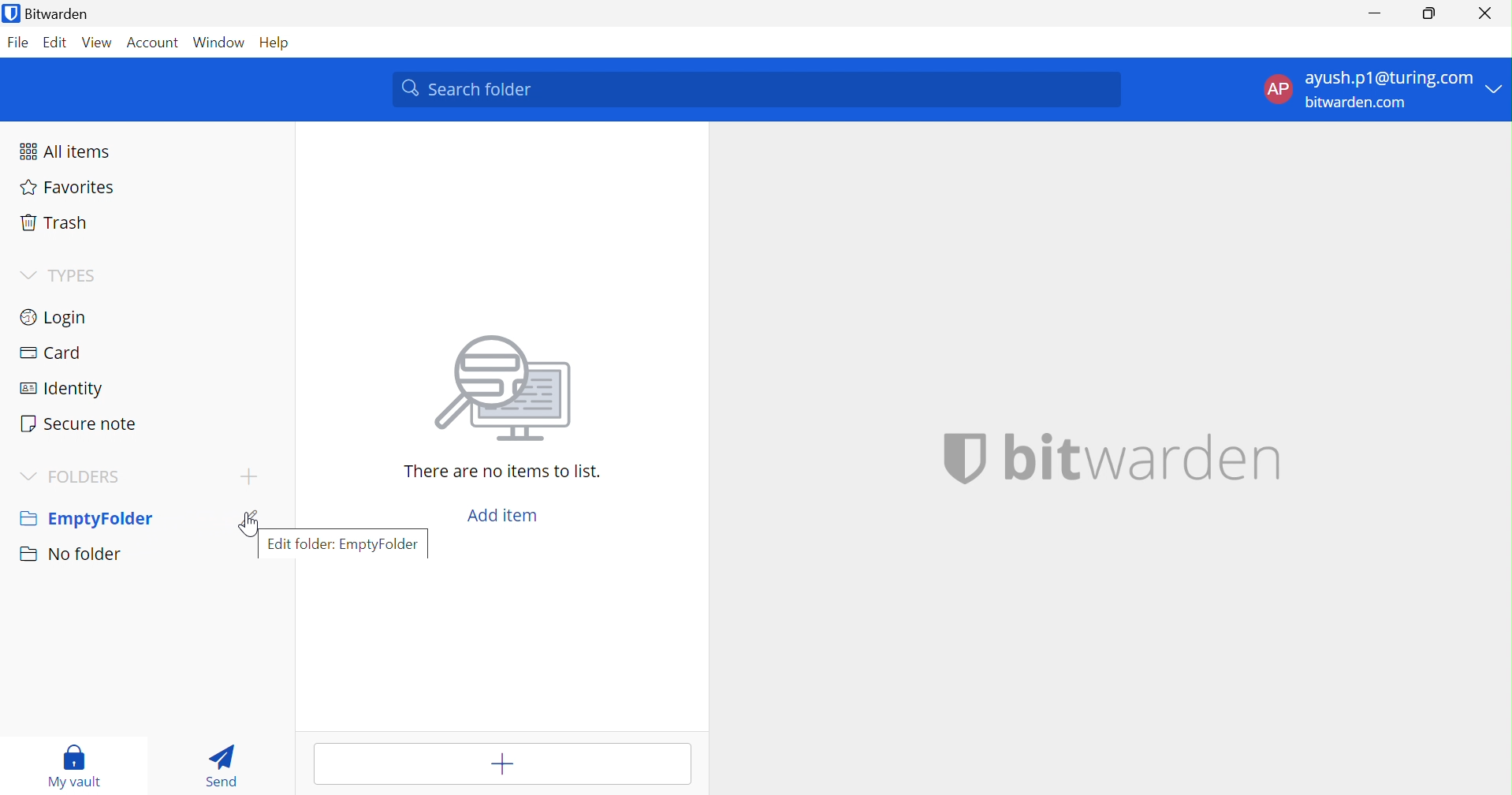 This screenshot has width=1512, height=795. I want to click on All items, so click(69, 151).